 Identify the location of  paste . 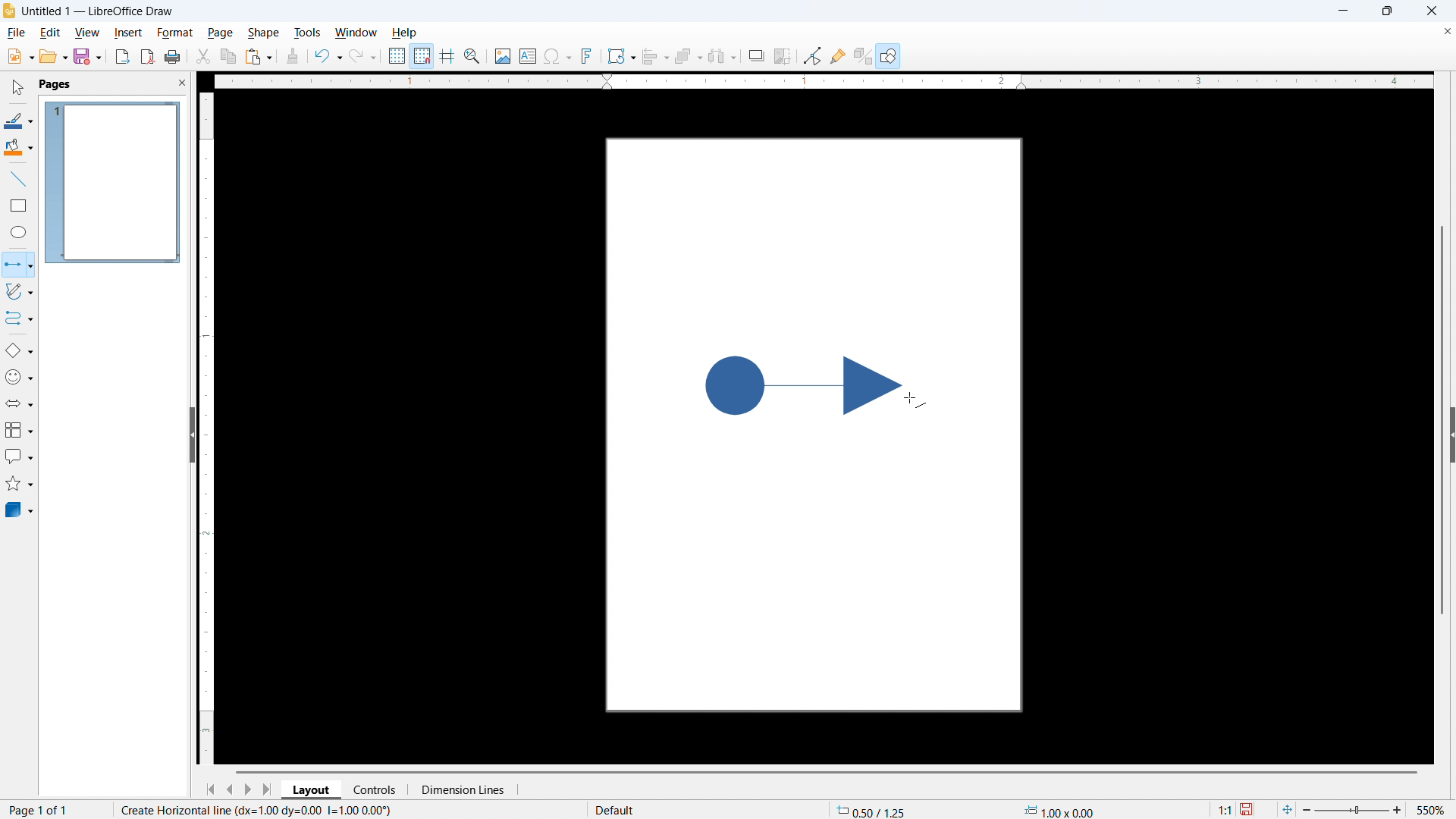
(259, 58).